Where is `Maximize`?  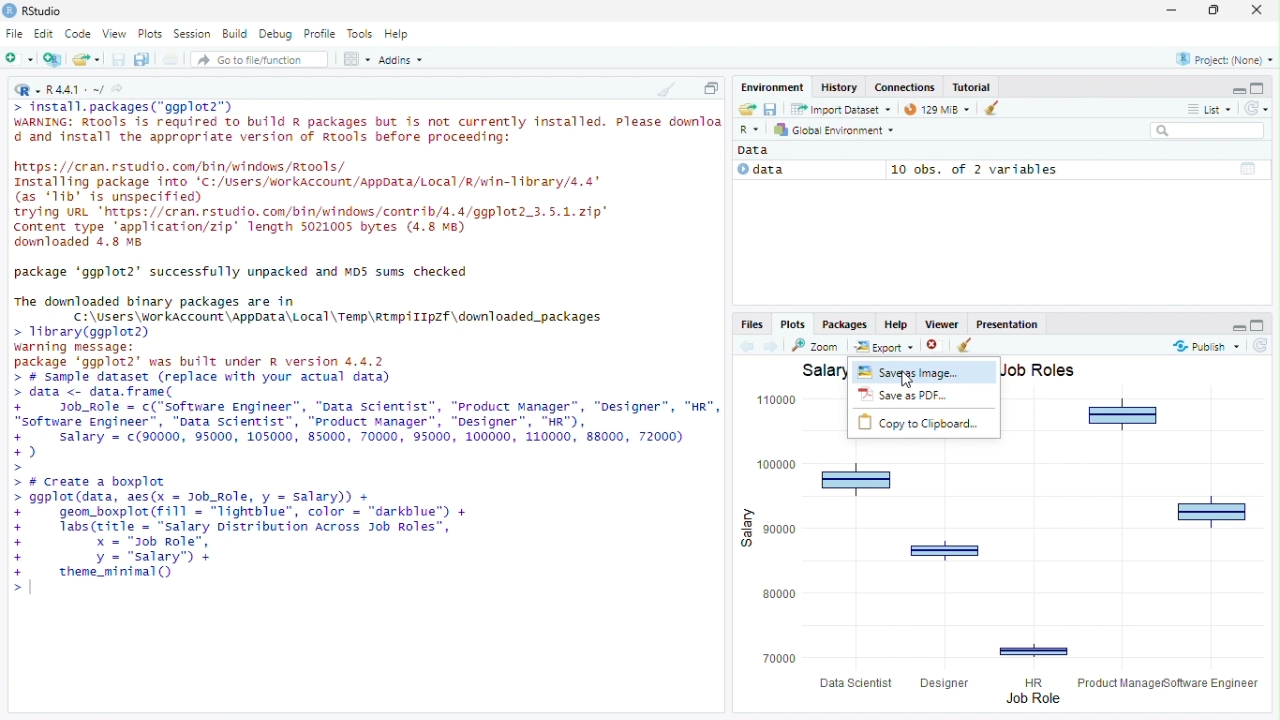 Maximize is located at coordinates (710, 86).